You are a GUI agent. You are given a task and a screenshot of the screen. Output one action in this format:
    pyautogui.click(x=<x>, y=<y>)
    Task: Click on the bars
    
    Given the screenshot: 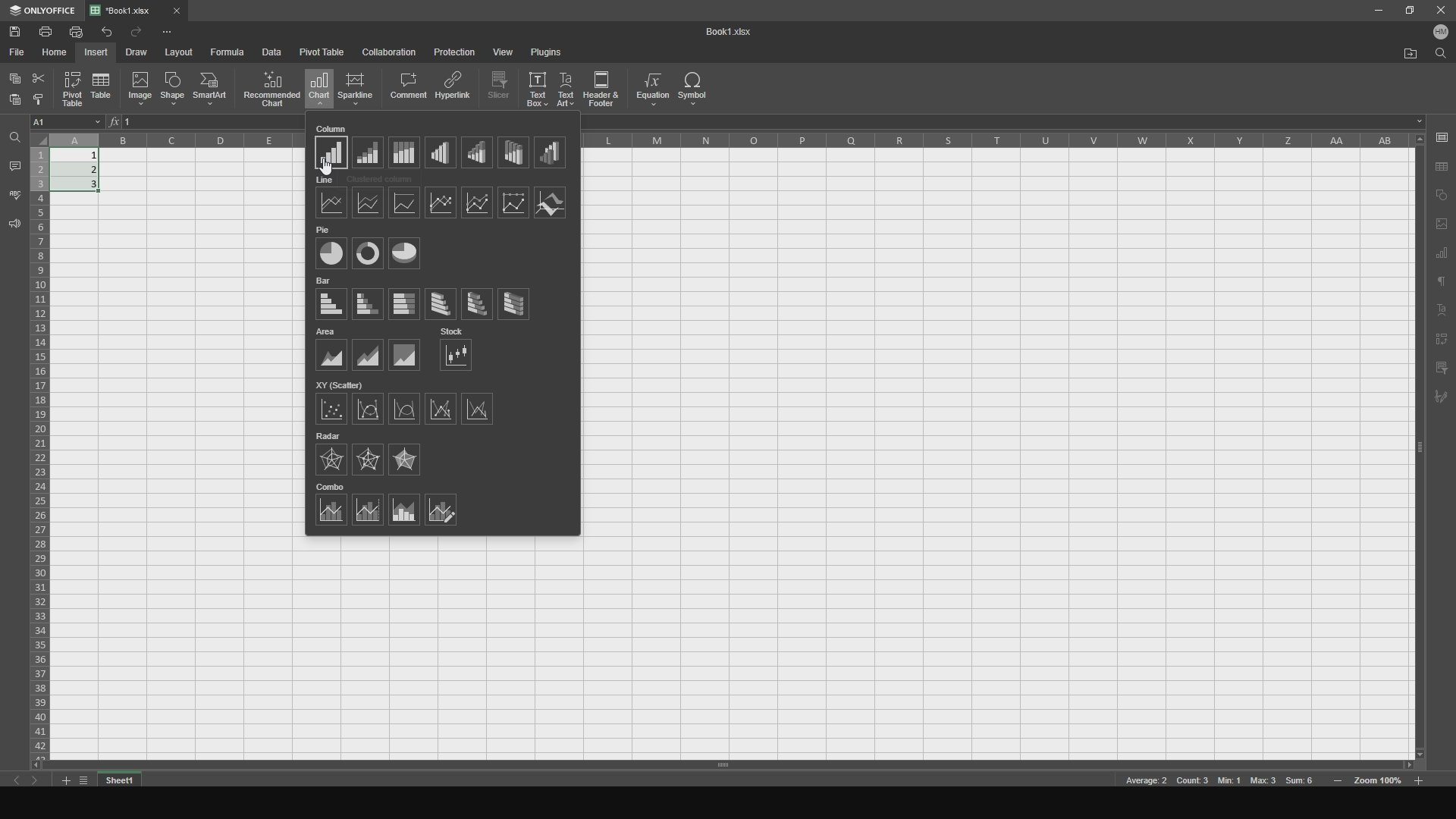 What is the action you would take?
    pyautogui.click(x=427, y=300)
    